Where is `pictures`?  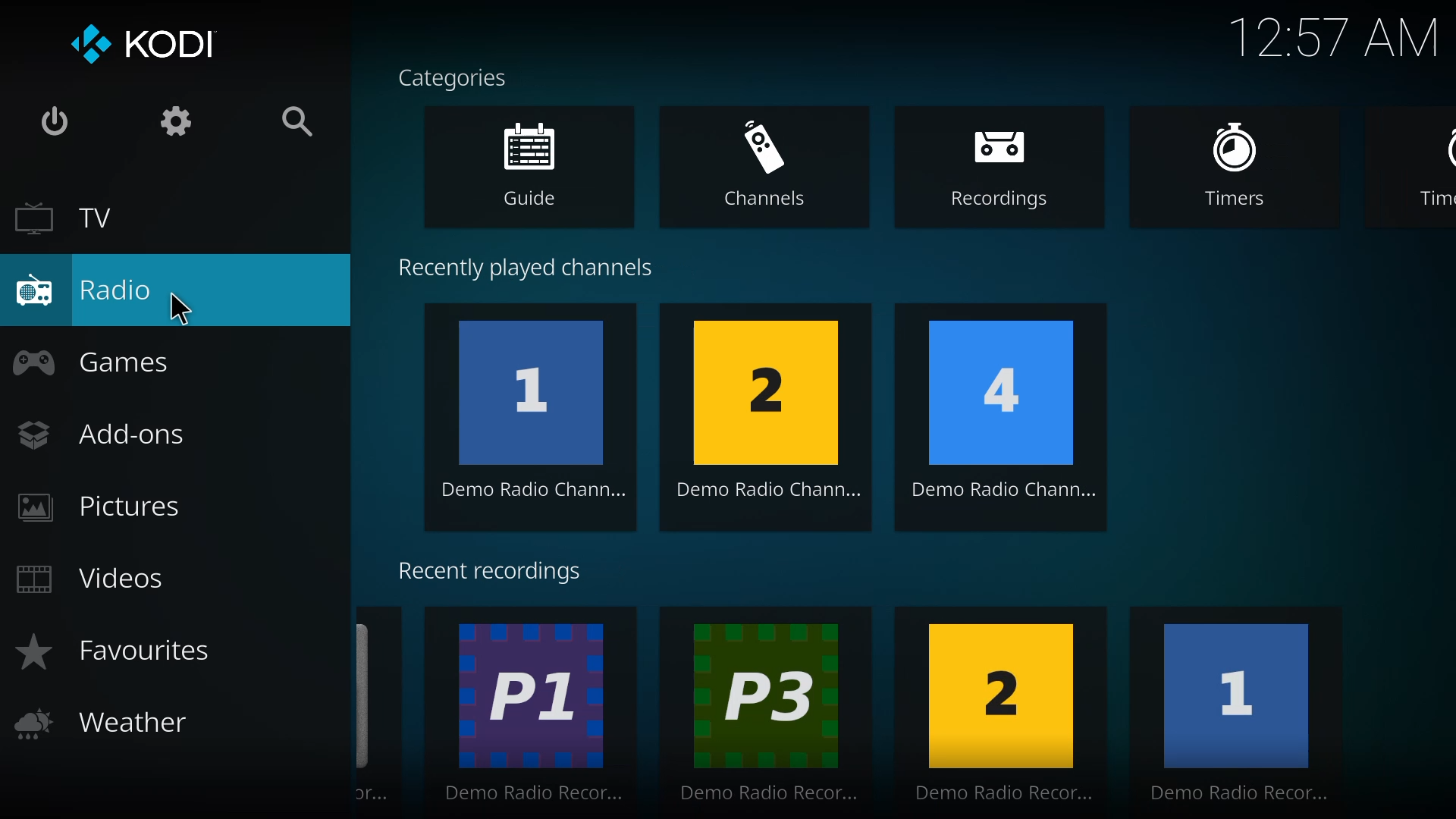 pictures is located at coordinates (102, 507).